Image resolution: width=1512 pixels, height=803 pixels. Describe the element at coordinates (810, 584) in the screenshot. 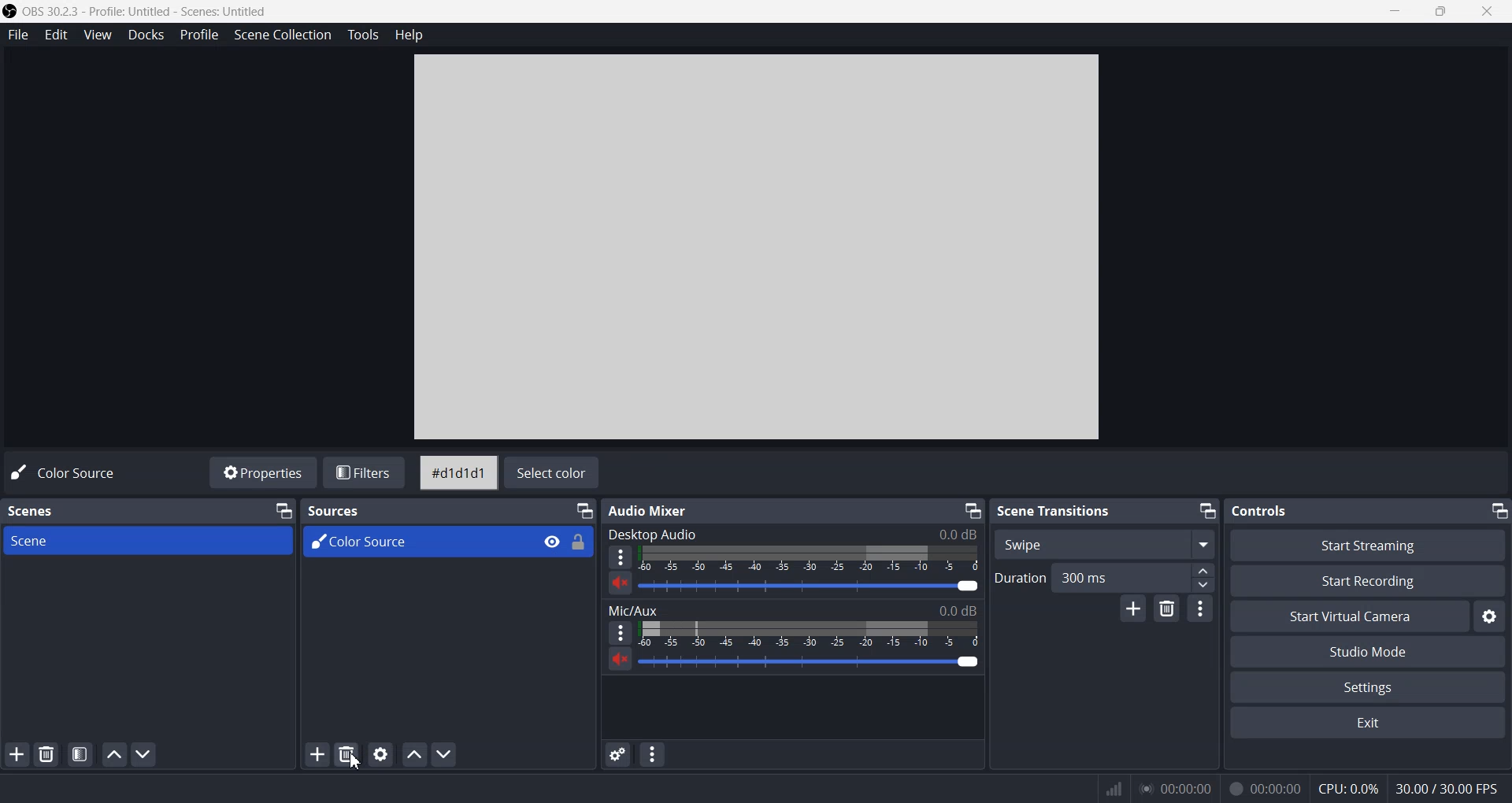

I see `Volume Adjuster` at that location.